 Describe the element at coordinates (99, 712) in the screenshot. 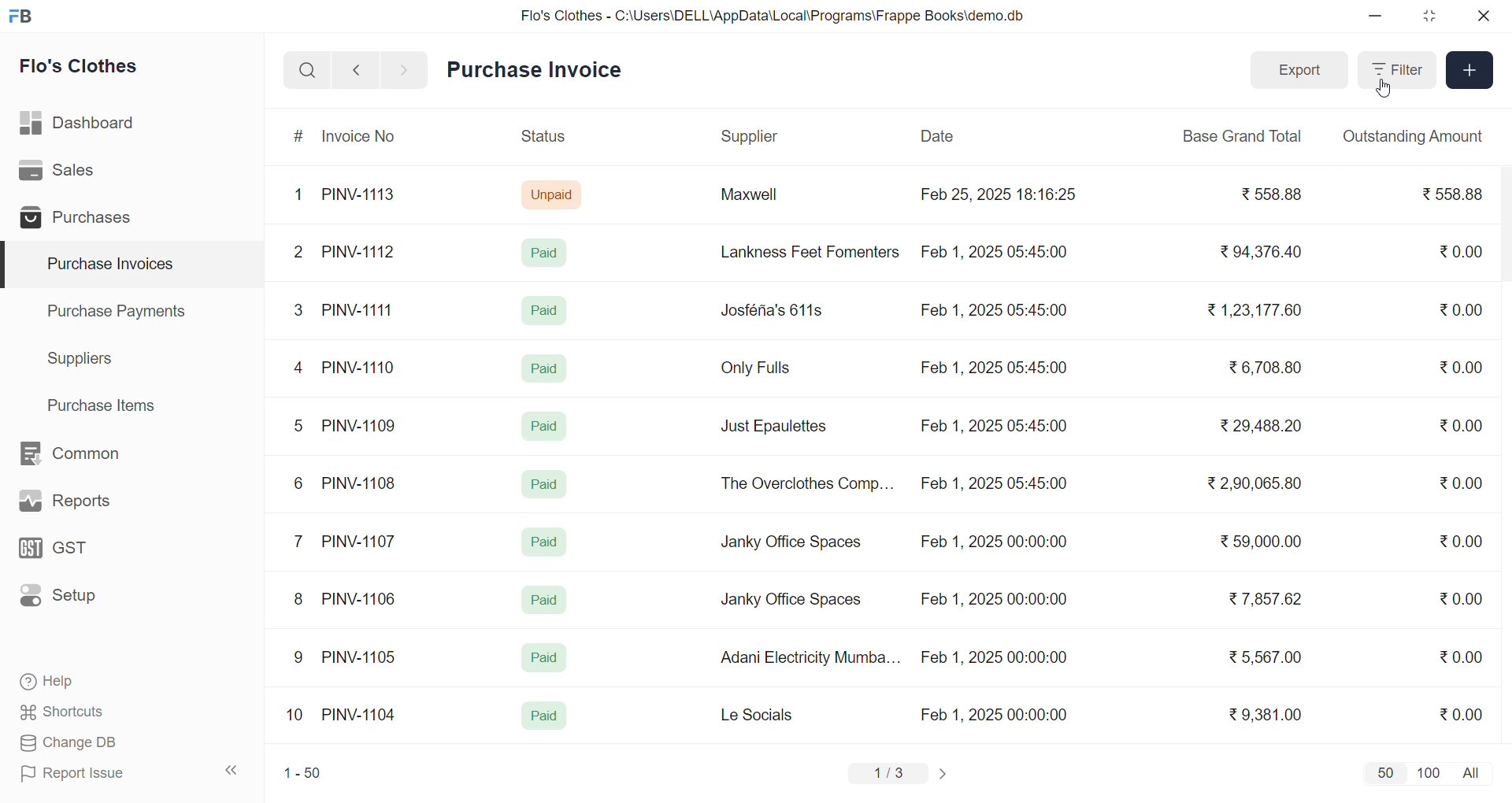

I see `Shortcuts` at that location.